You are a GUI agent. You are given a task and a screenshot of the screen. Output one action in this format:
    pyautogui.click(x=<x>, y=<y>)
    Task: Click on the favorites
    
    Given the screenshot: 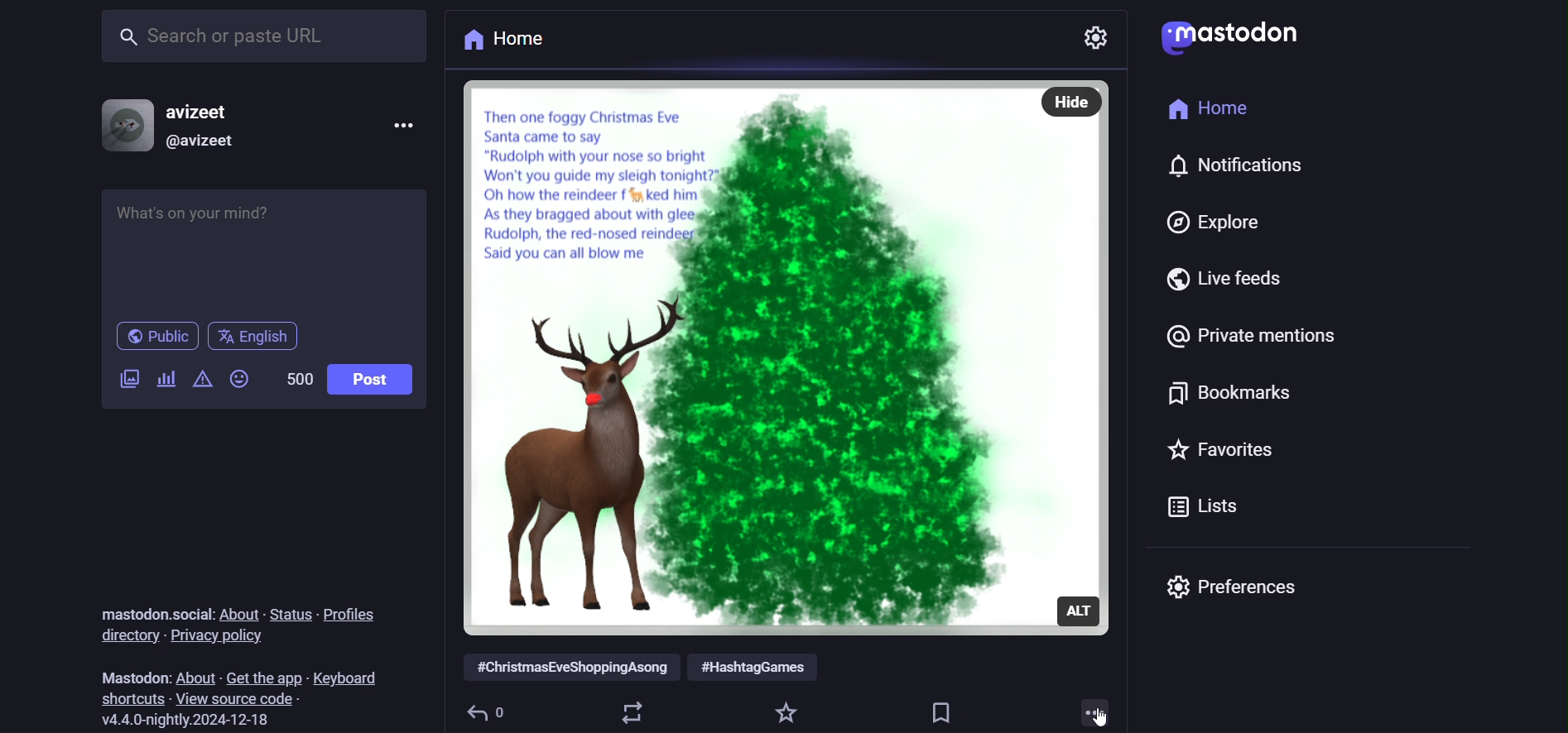 What is the action you would take?
    pyautogui.click(x=1223, y=448)
    